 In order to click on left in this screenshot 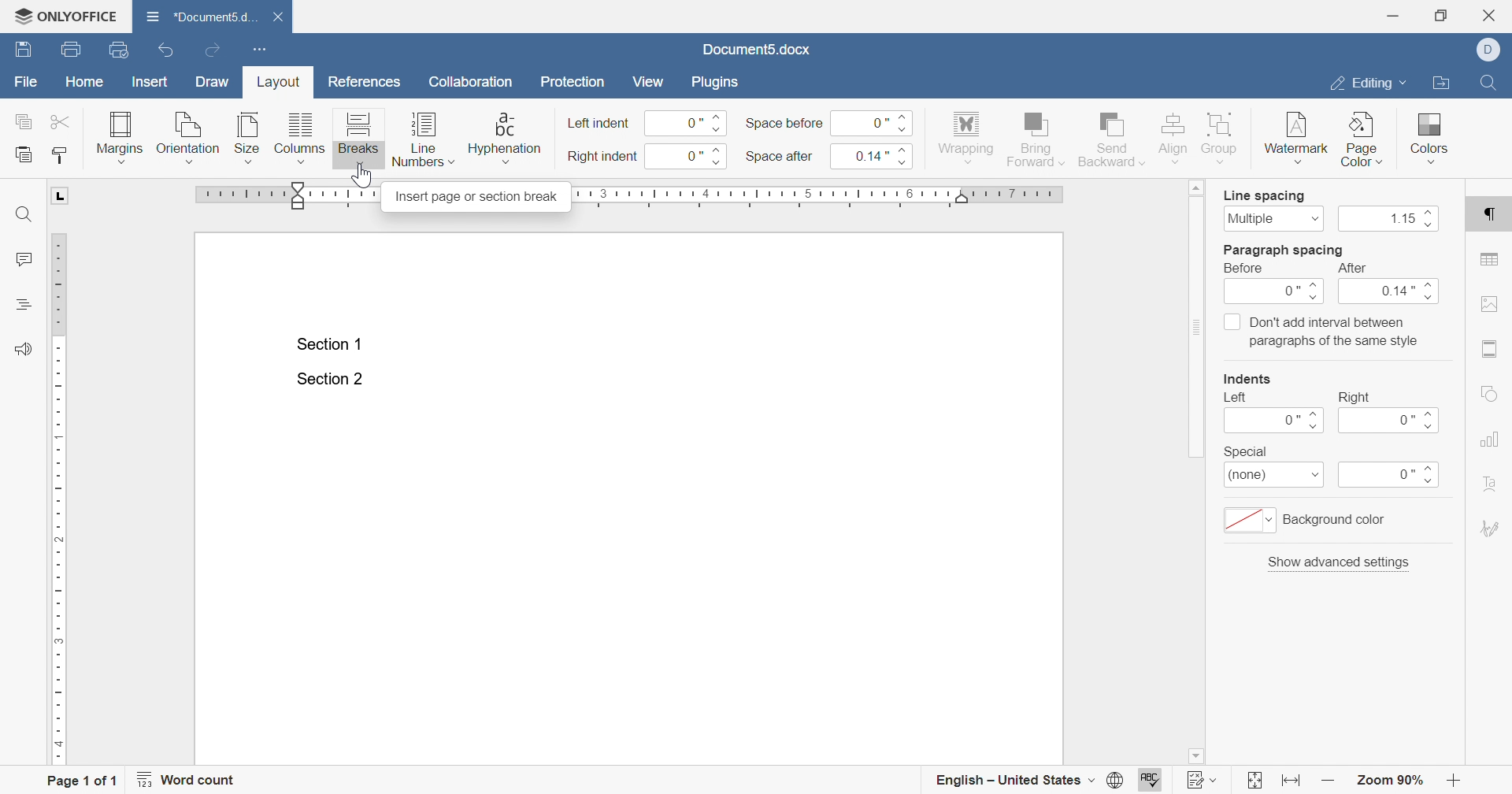, I will do `click(1236, 398)`.